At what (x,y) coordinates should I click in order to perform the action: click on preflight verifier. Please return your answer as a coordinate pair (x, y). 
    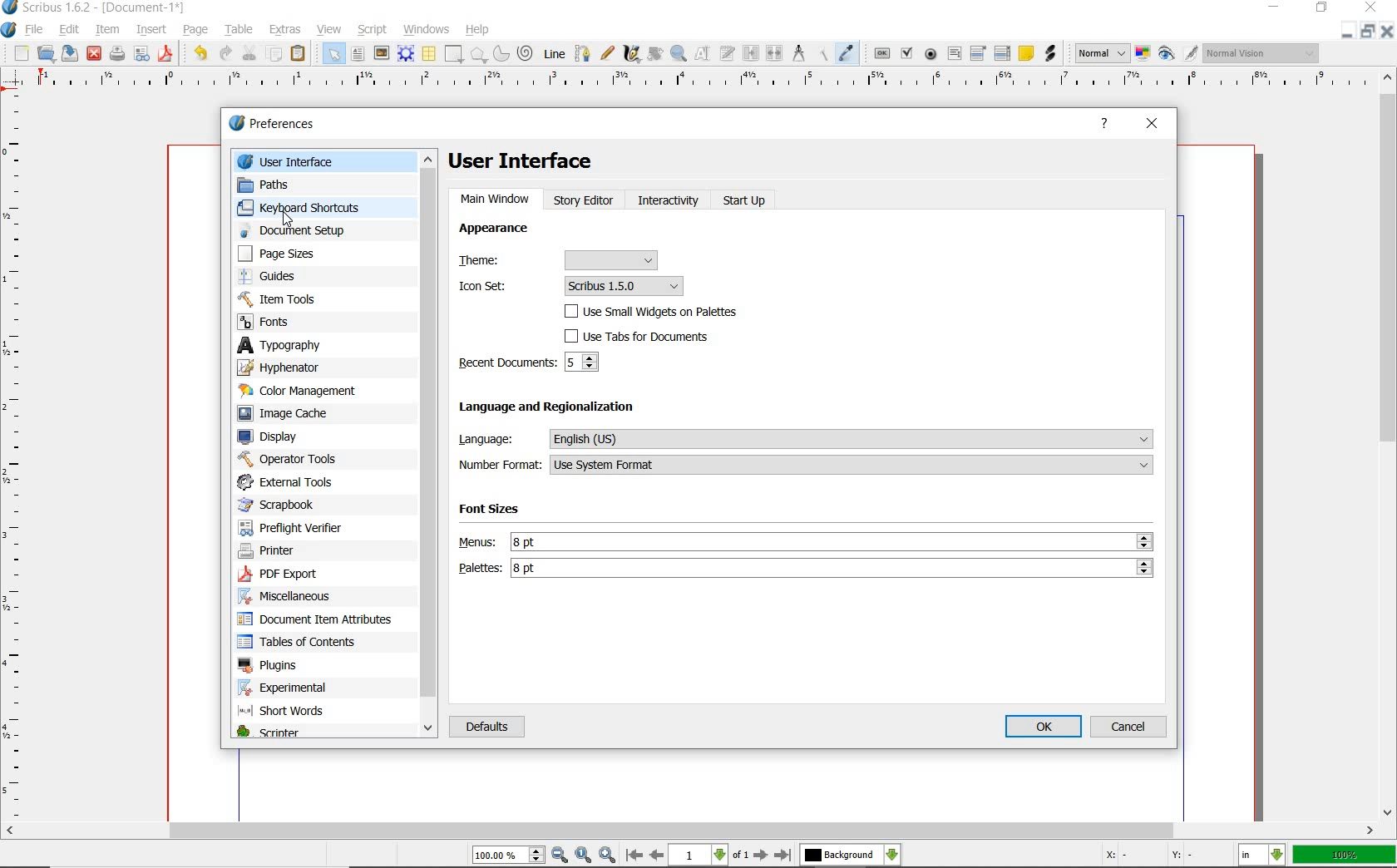
    Looking at the image, I should click on (116, 55).